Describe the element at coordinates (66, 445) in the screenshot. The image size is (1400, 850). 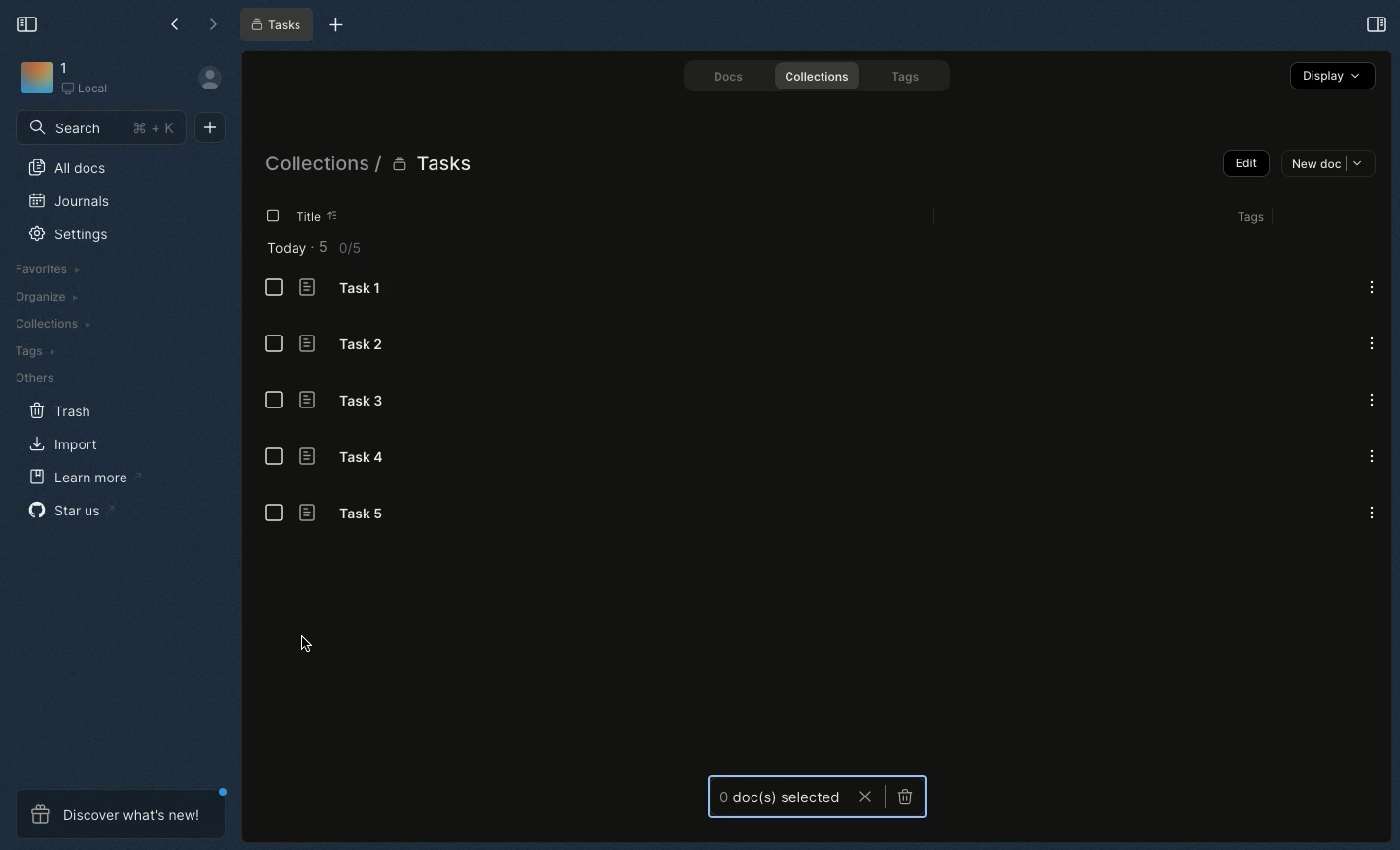
I see `Import` at that location.